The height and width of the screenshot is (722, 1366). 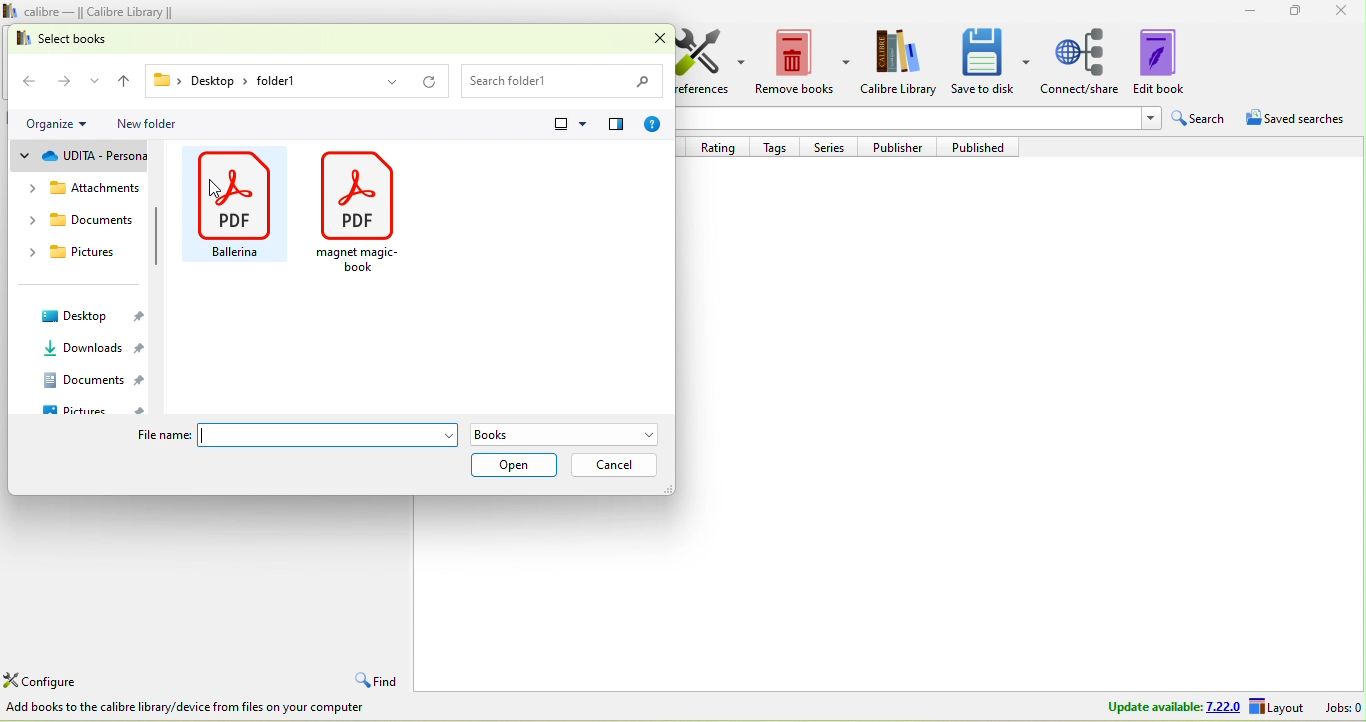 What do you see at coordinates (1296, 12) in the screenshot?
I see `maximize` at bounding box center [1296, 12].